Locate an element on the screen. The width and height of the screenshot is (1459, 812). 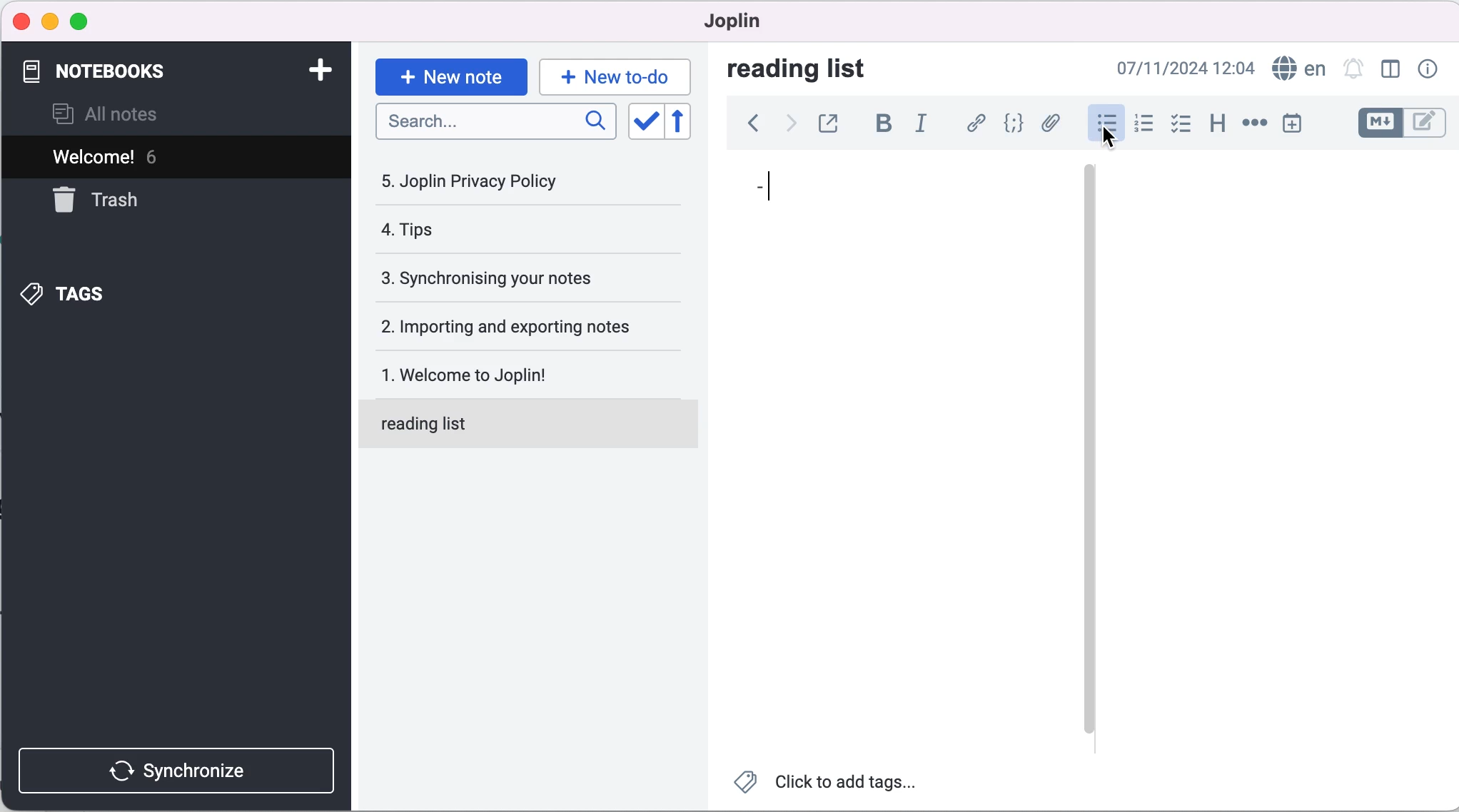
reading list  is located at coordinates (532, 422).